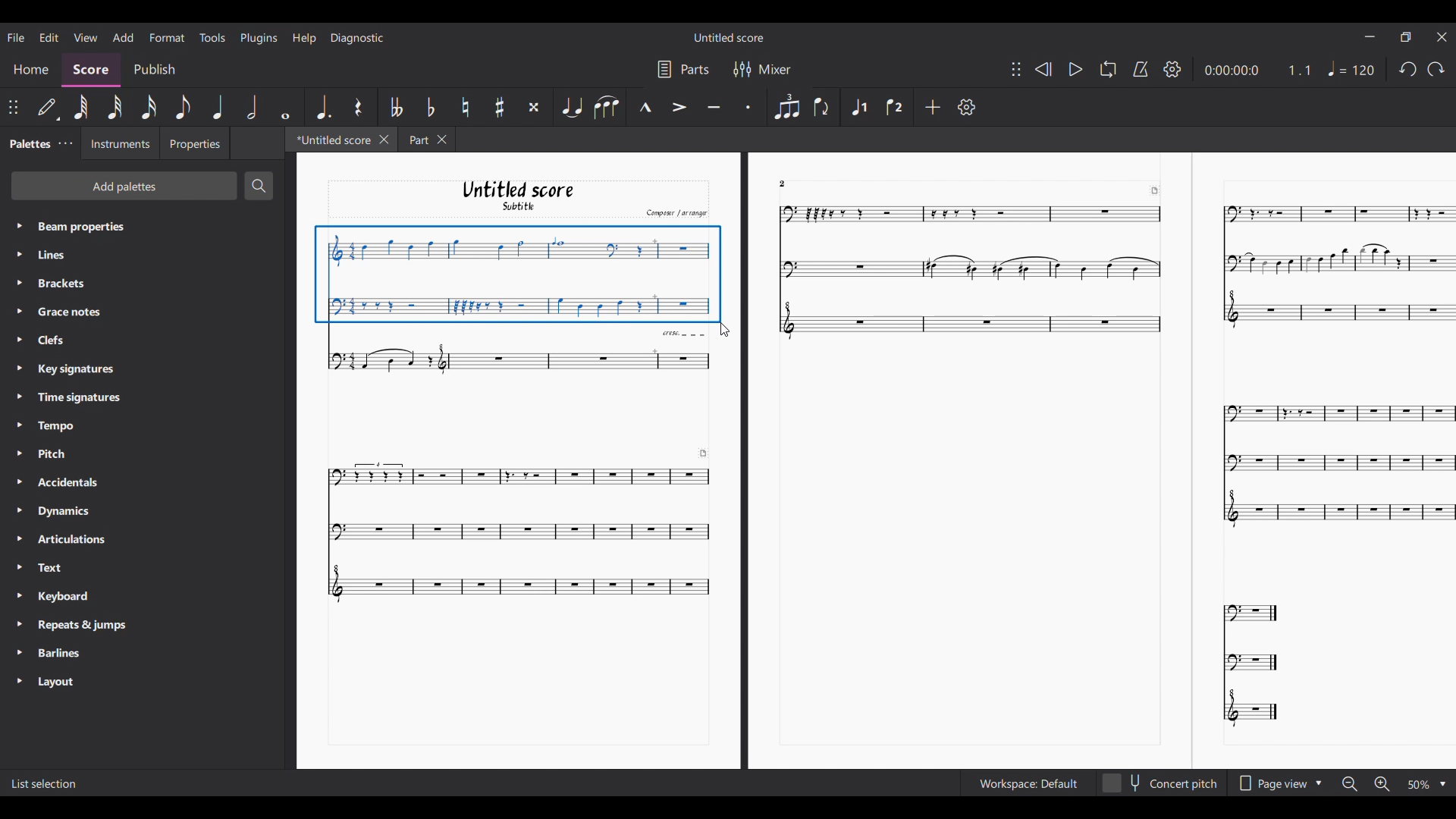 This screenshot has height=819, width=1456. Describe the element at coordinates (1339, 463) in the screenshot. I see `` at that location.